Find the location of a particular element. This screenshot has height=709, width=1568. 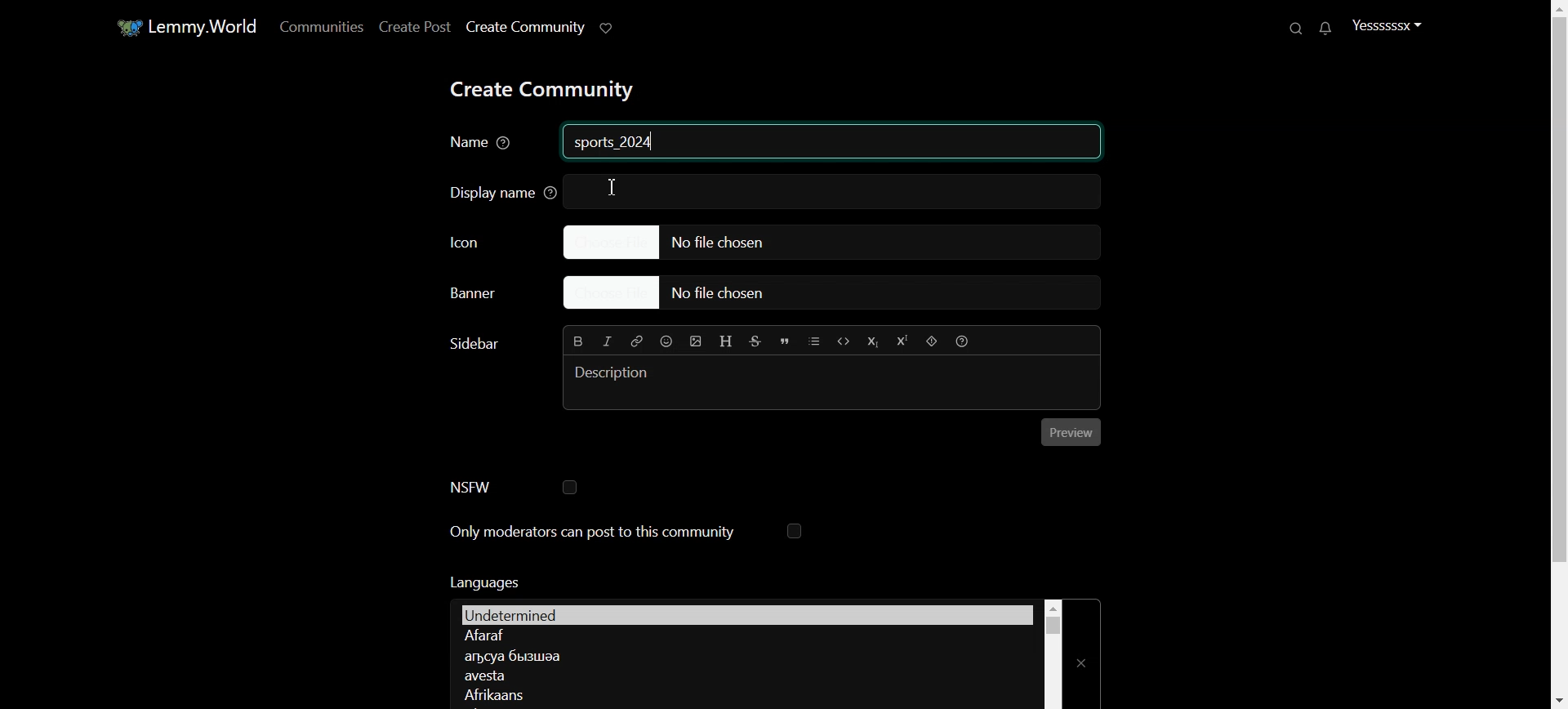

Search is located at coordinates (1298, 28).